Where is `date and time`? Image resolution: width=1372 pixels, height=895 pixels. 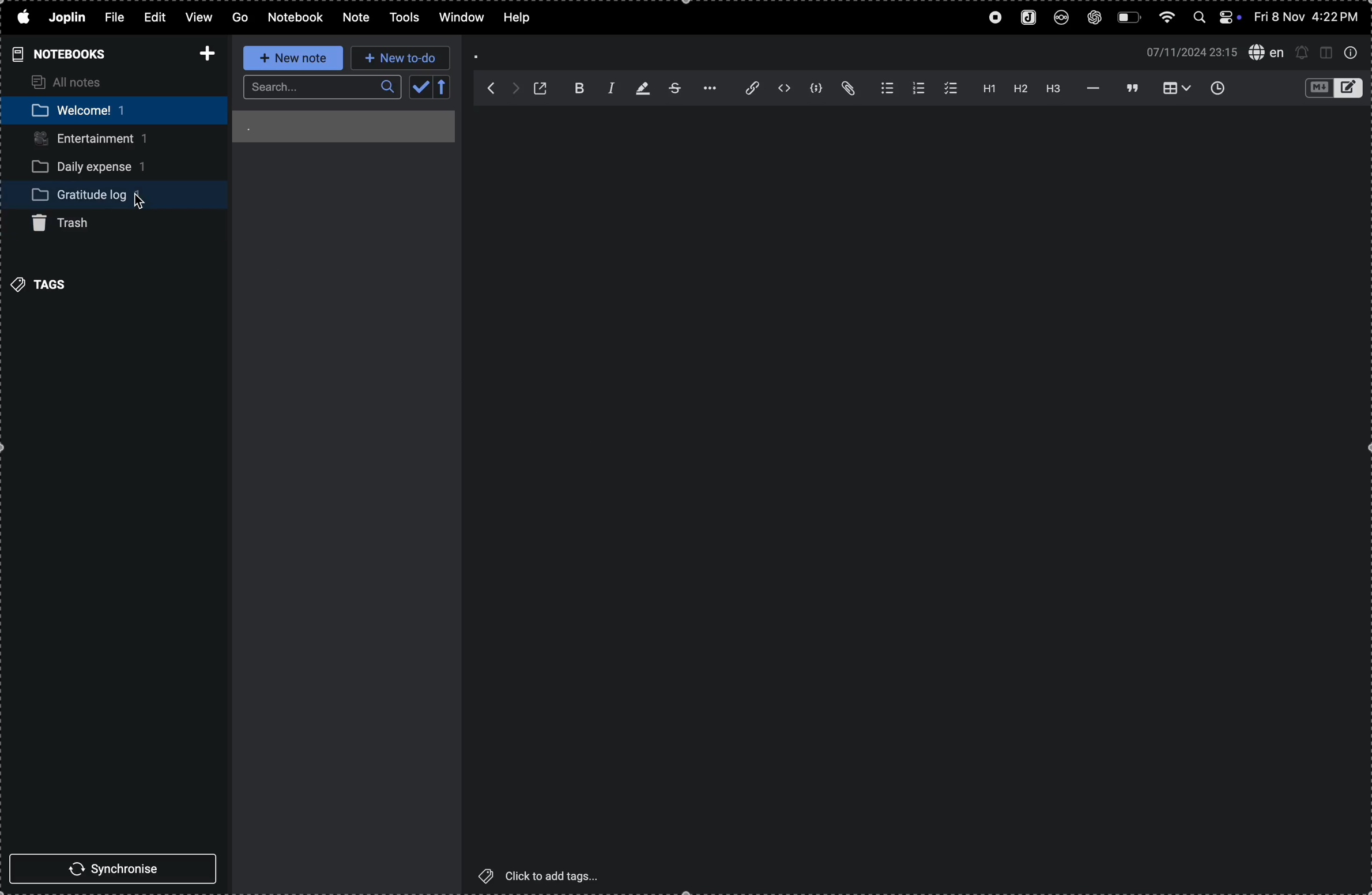 date and time is located at coordinates (1305, 17).